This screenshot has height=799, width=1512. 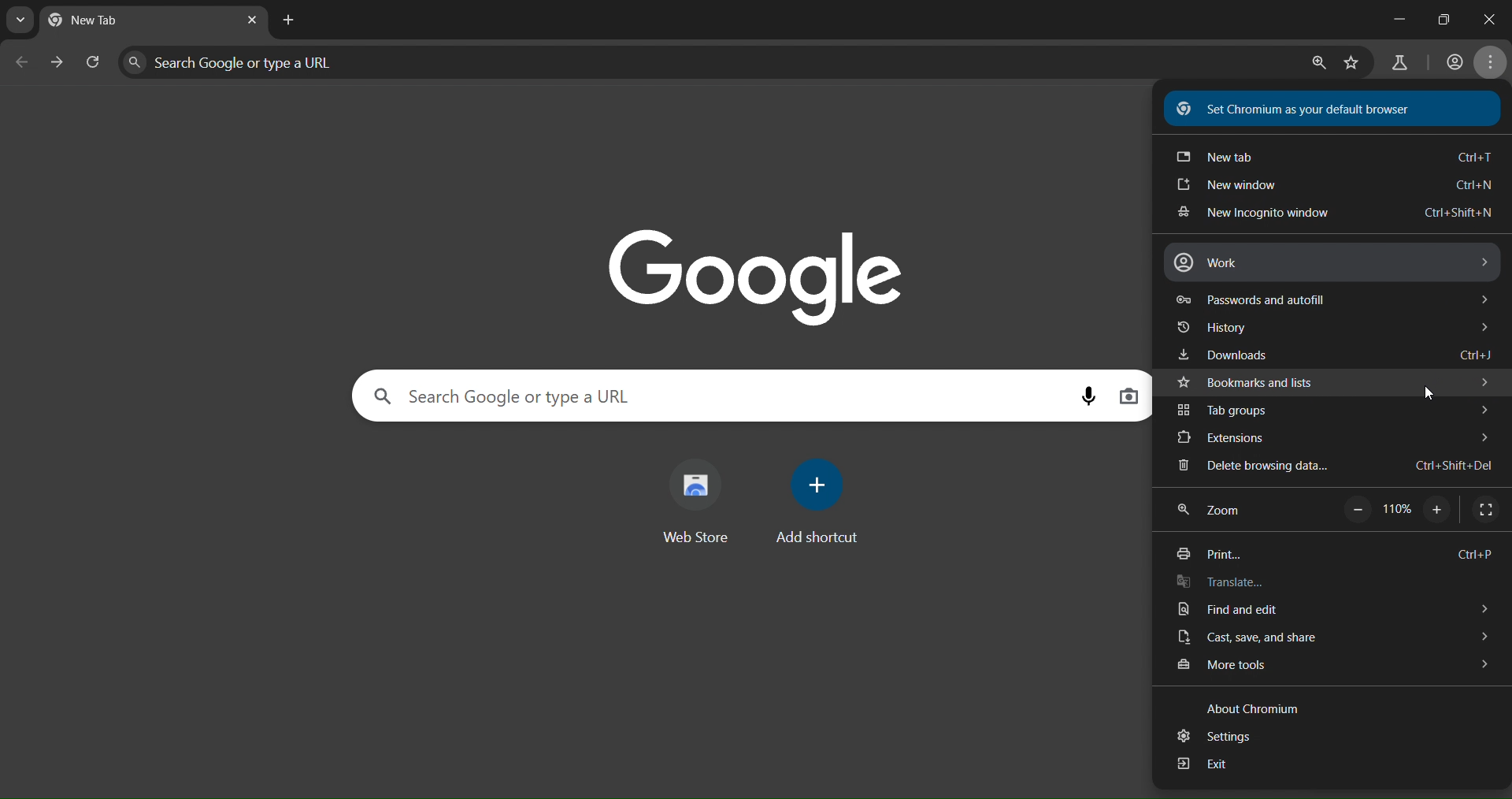 What do you see at coordinates (1223, 581) in the screenshot?
I see `translate` at bounding box center [1223, 581].